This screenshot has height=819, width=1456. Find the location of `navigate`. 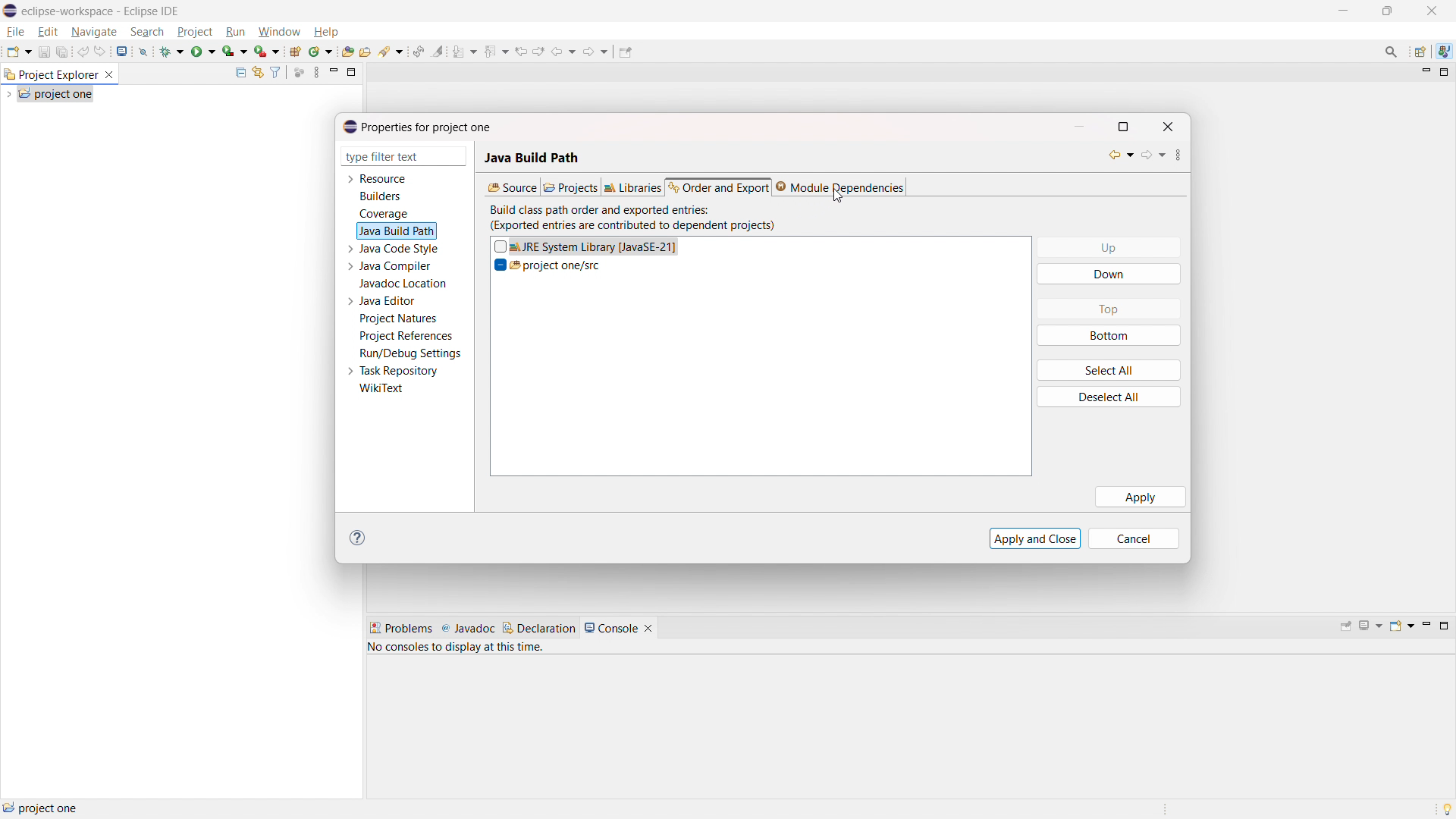

navigate is located at coordinates (93, 31).